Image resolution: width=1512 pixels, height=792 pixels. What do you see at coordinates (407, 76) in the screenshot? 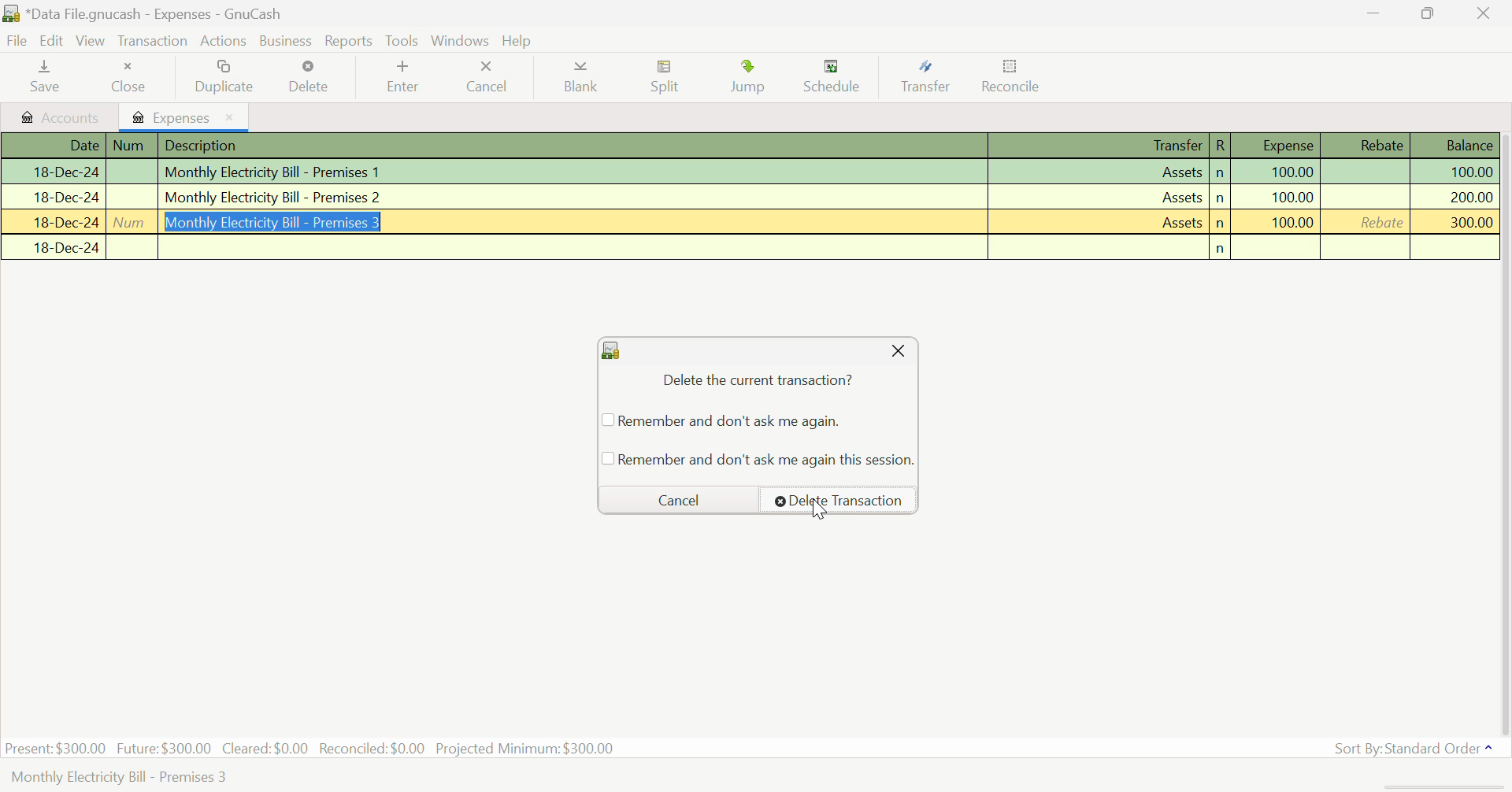
I see `Enter` at bounding box center [407, 76].